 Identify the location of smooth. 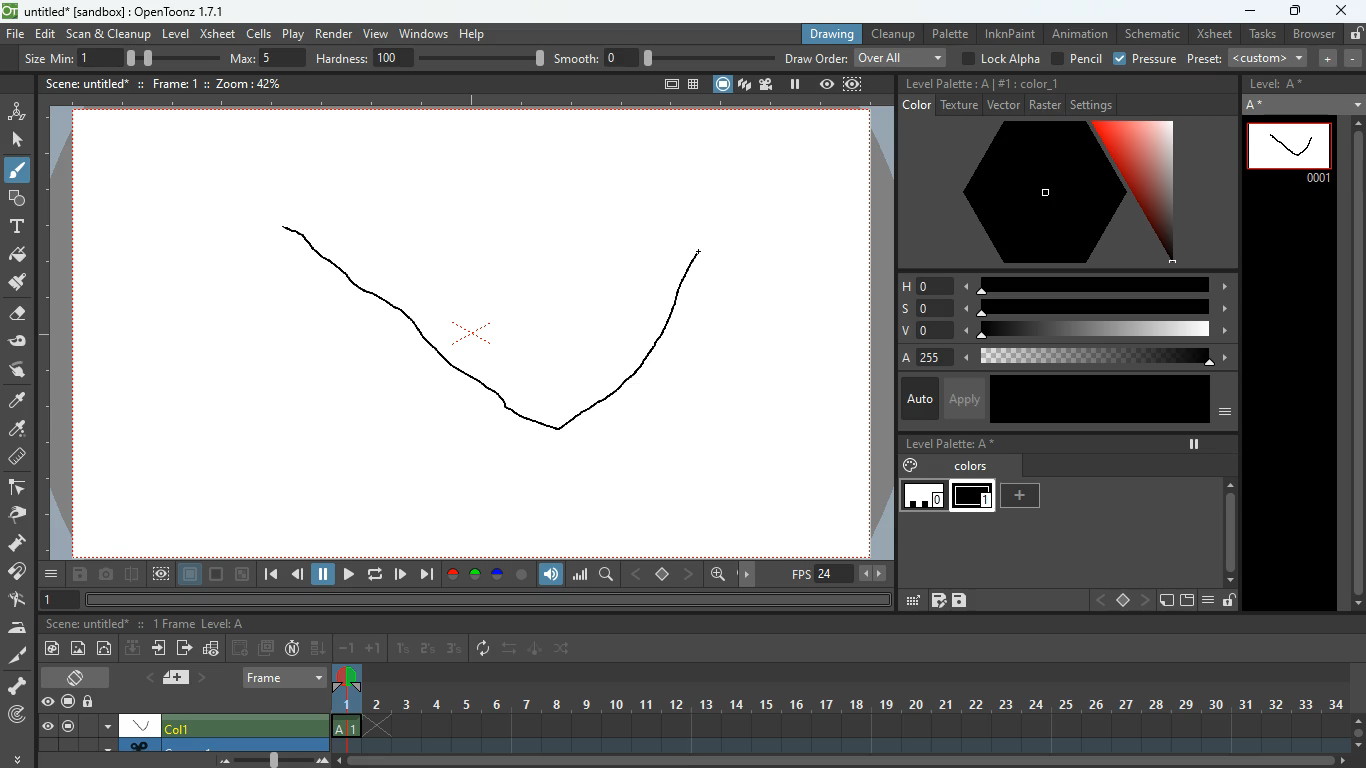
(665, 57).